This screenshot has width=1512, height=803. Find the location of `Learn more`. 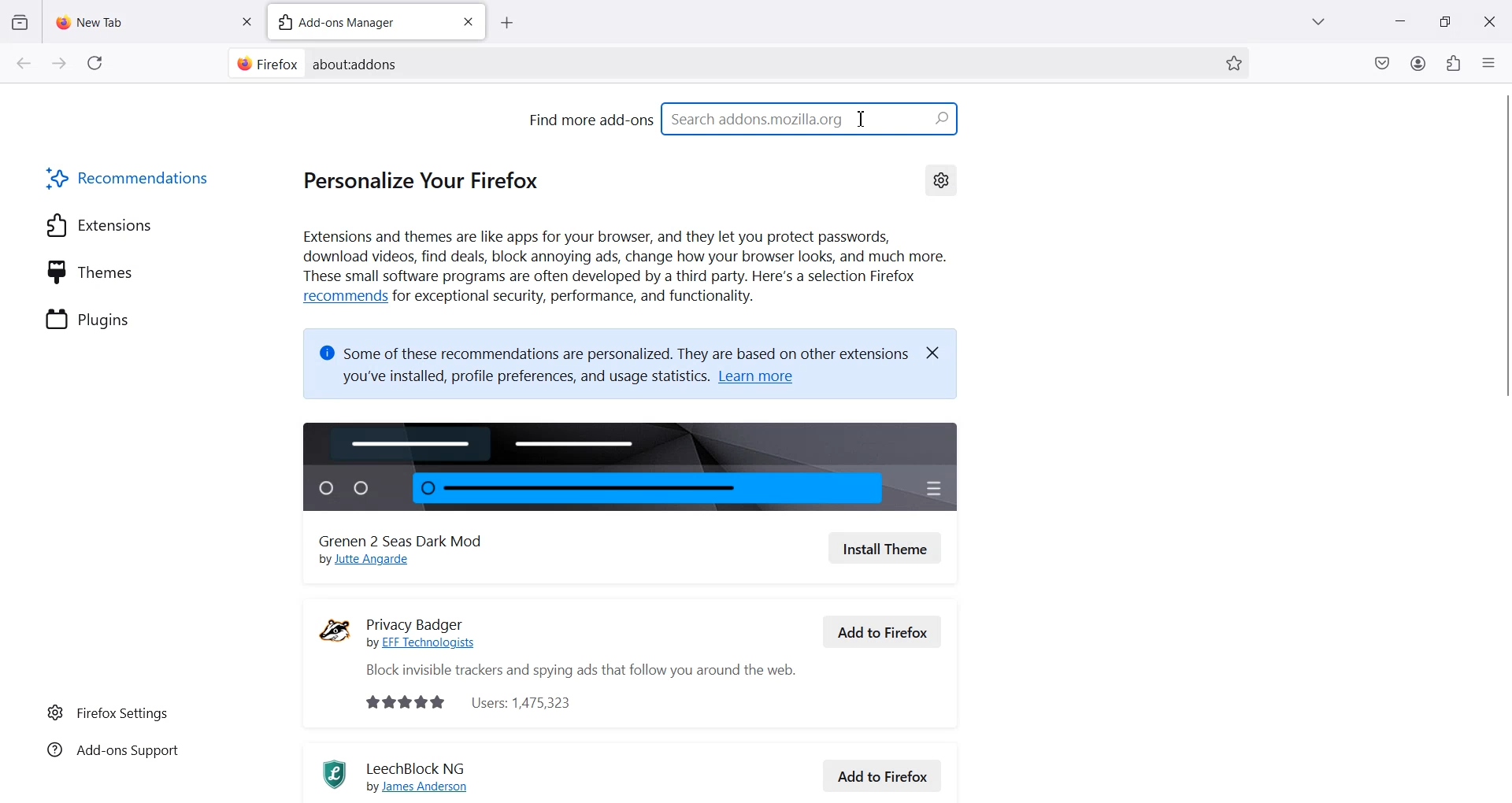

Learn more is located at coordinates (765, 379).